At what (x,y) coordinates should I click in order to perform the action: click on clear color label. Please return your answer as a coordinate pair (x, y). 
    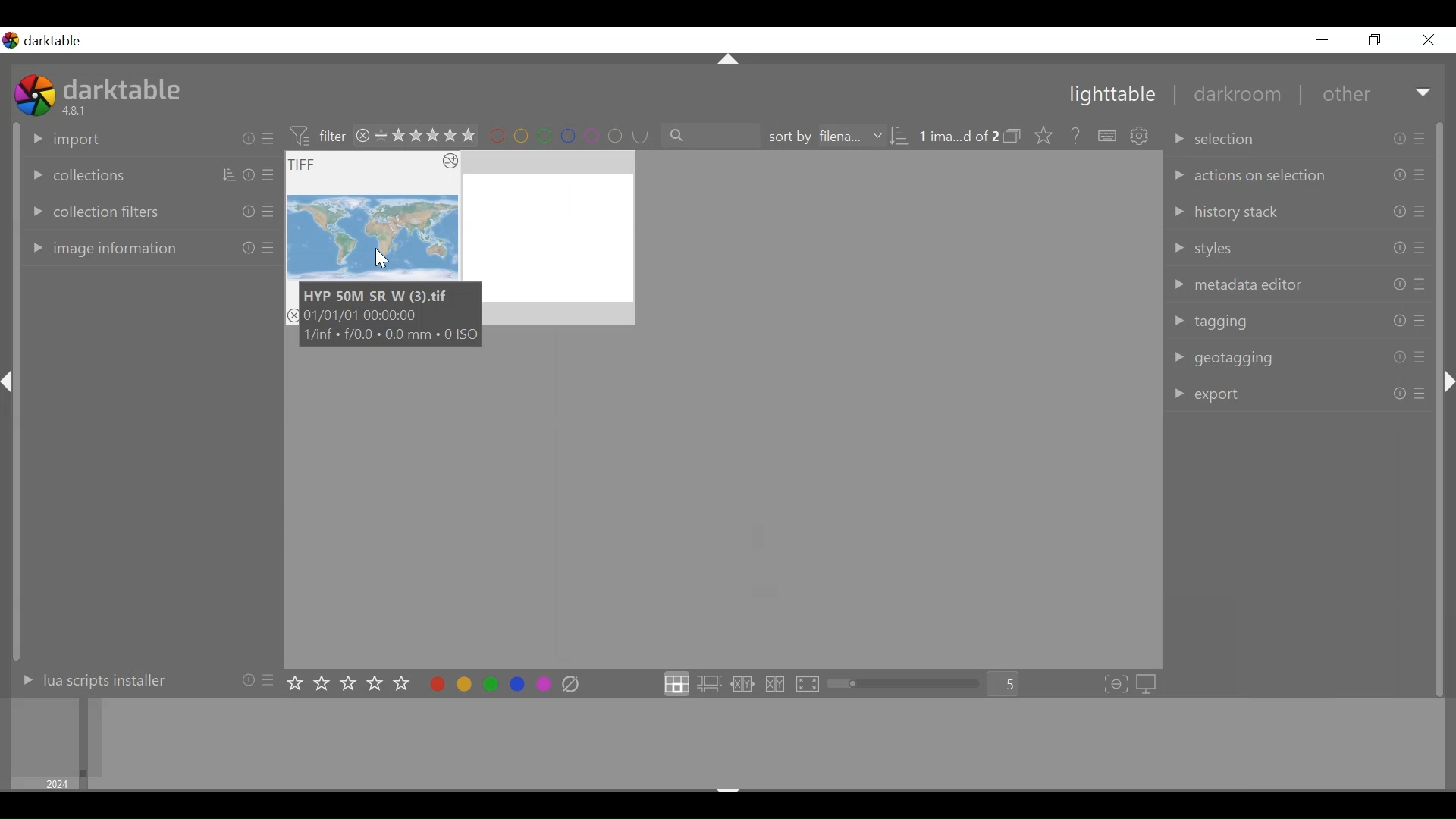
    Looking at the image, I should click on (573, 685).